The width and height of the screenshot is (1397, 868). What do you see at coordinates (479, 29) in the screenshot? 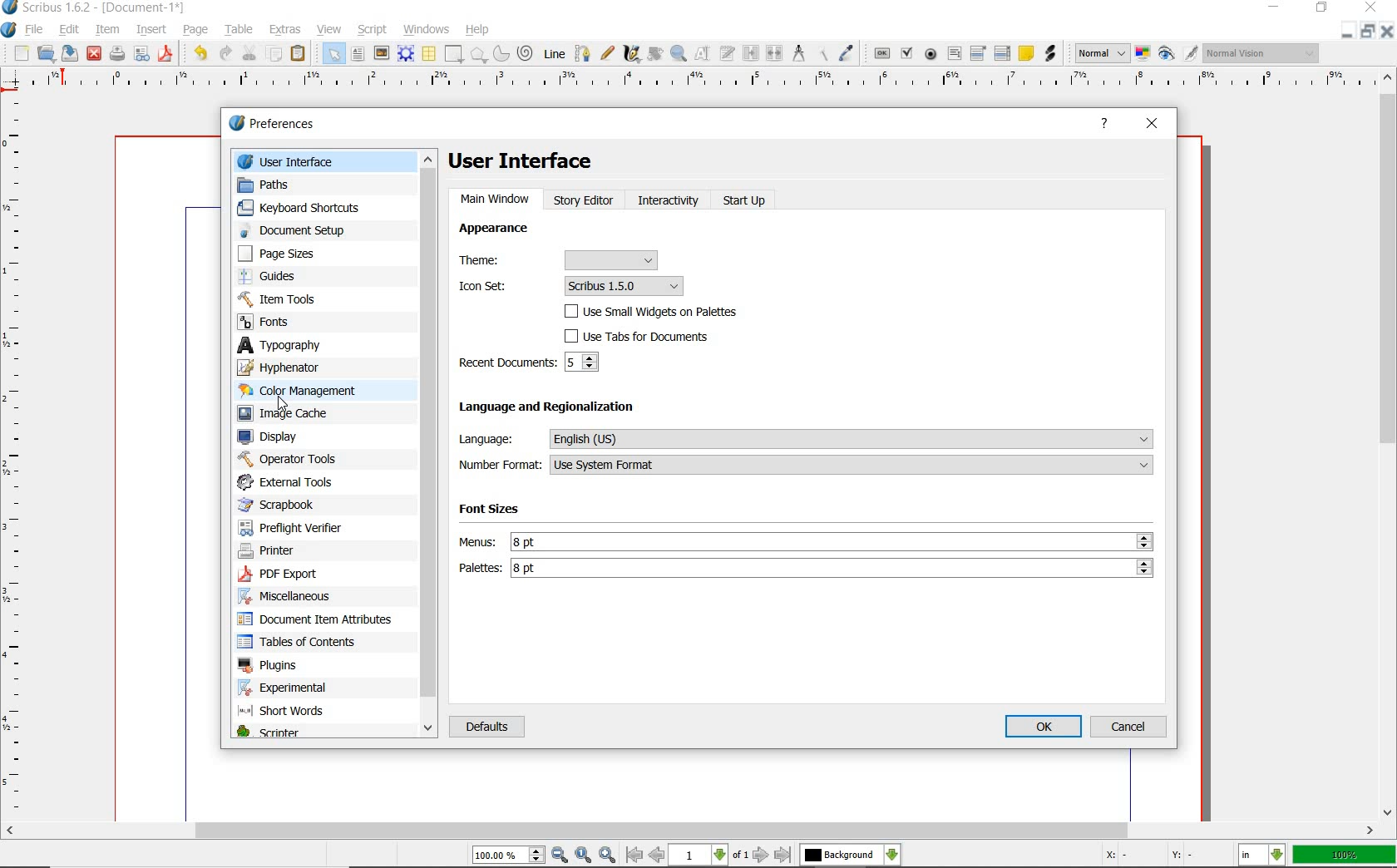
I see `help` at bounding box center [479, 29].